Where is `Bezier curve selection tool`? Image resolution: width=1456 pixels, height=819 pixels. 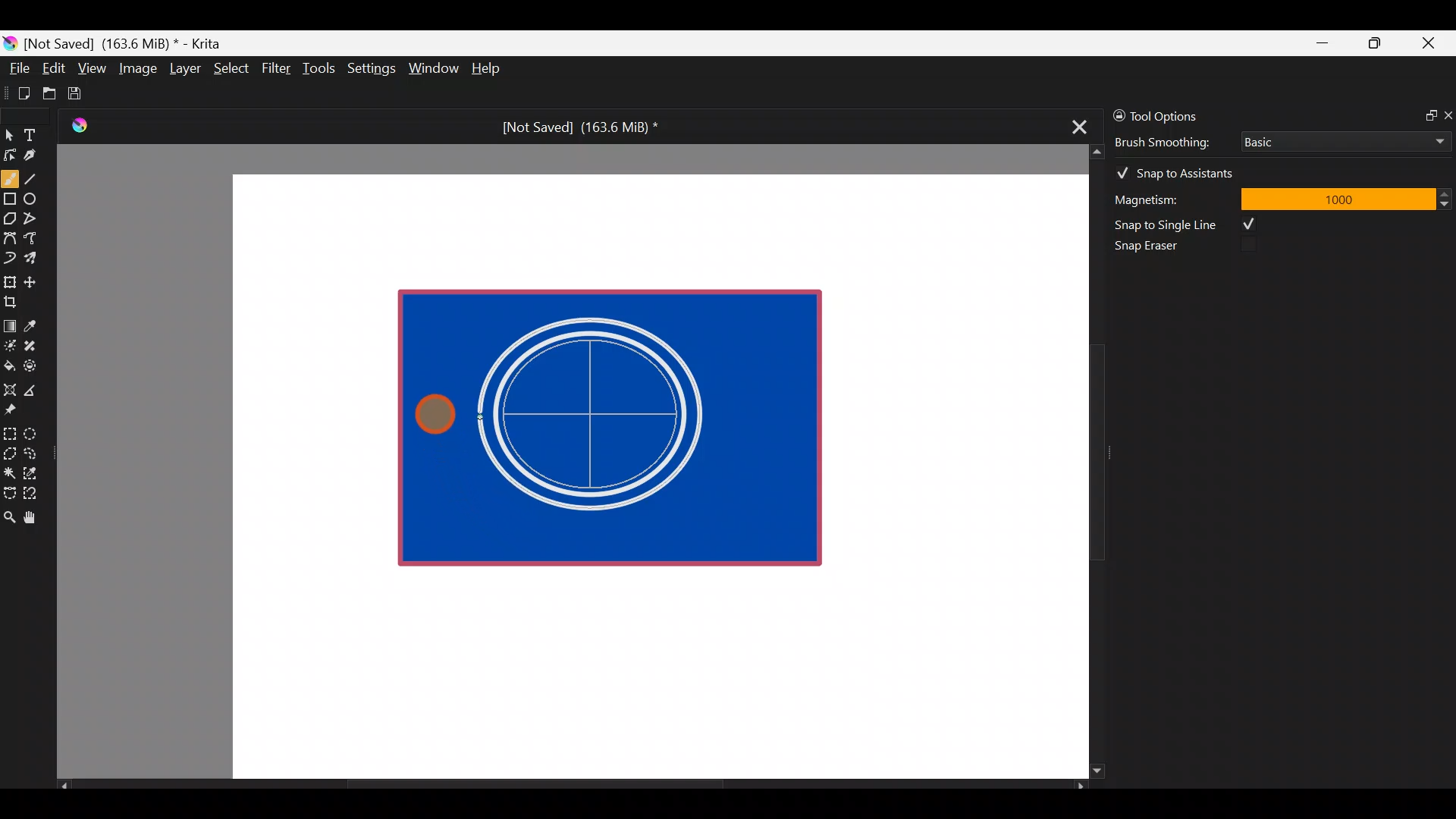
Bezier curve selection tool is located at coordinates (9, 491).